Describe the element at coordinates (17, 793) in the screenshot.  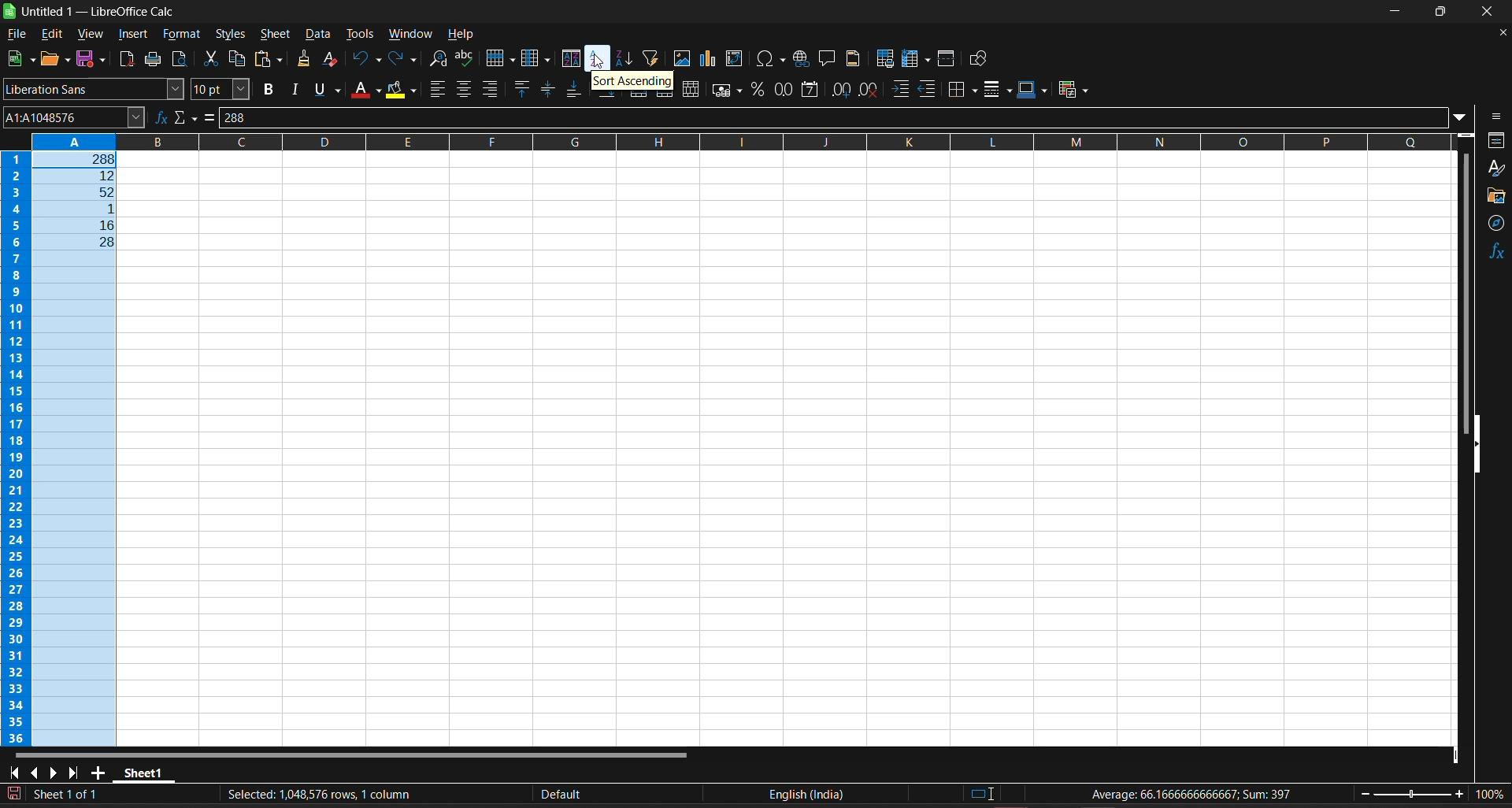
I see `click to save` at that location.